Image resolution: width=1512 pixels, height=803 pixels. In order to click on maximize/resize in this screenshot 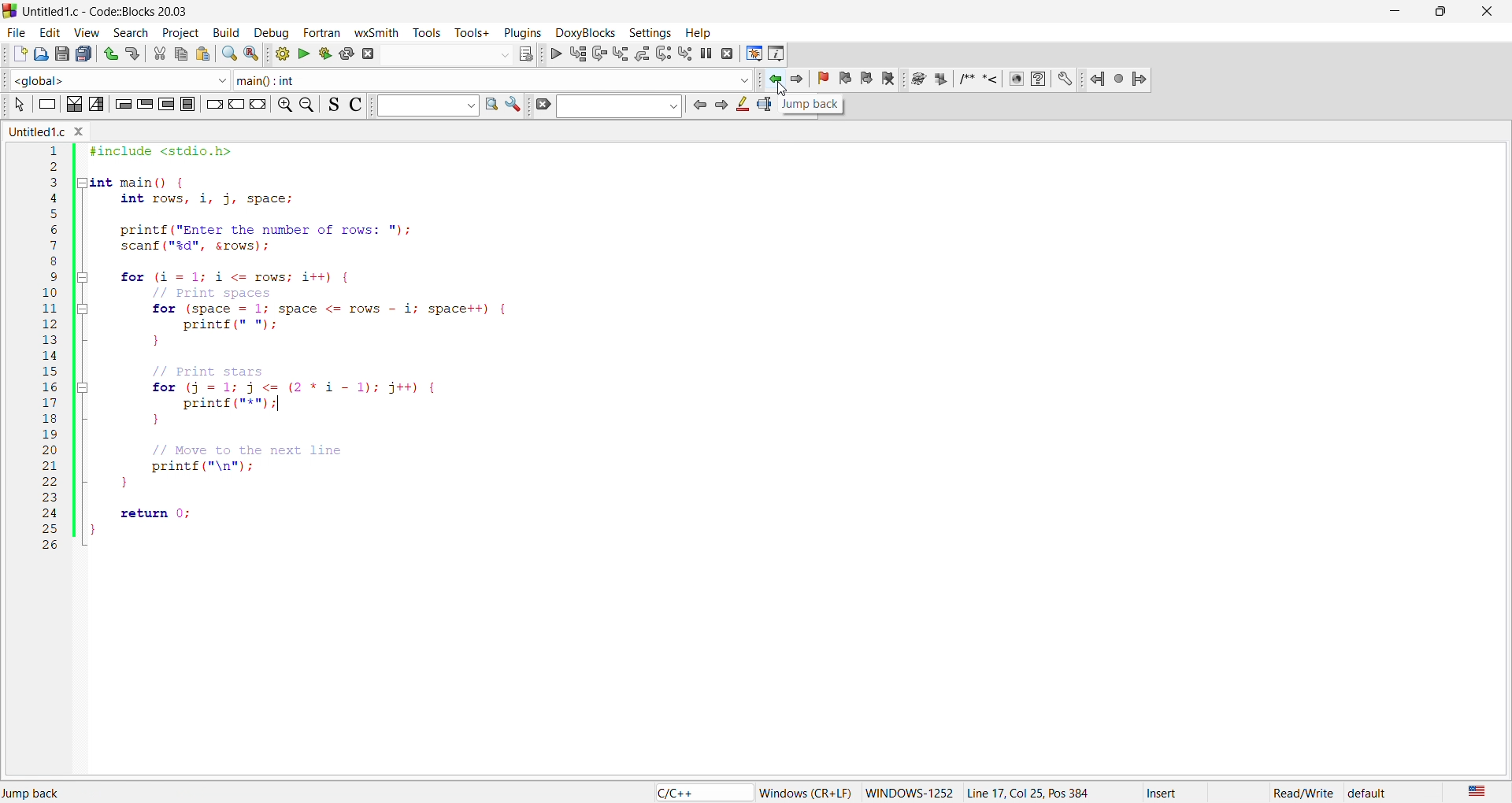, I will do `click(1436, 12)`.